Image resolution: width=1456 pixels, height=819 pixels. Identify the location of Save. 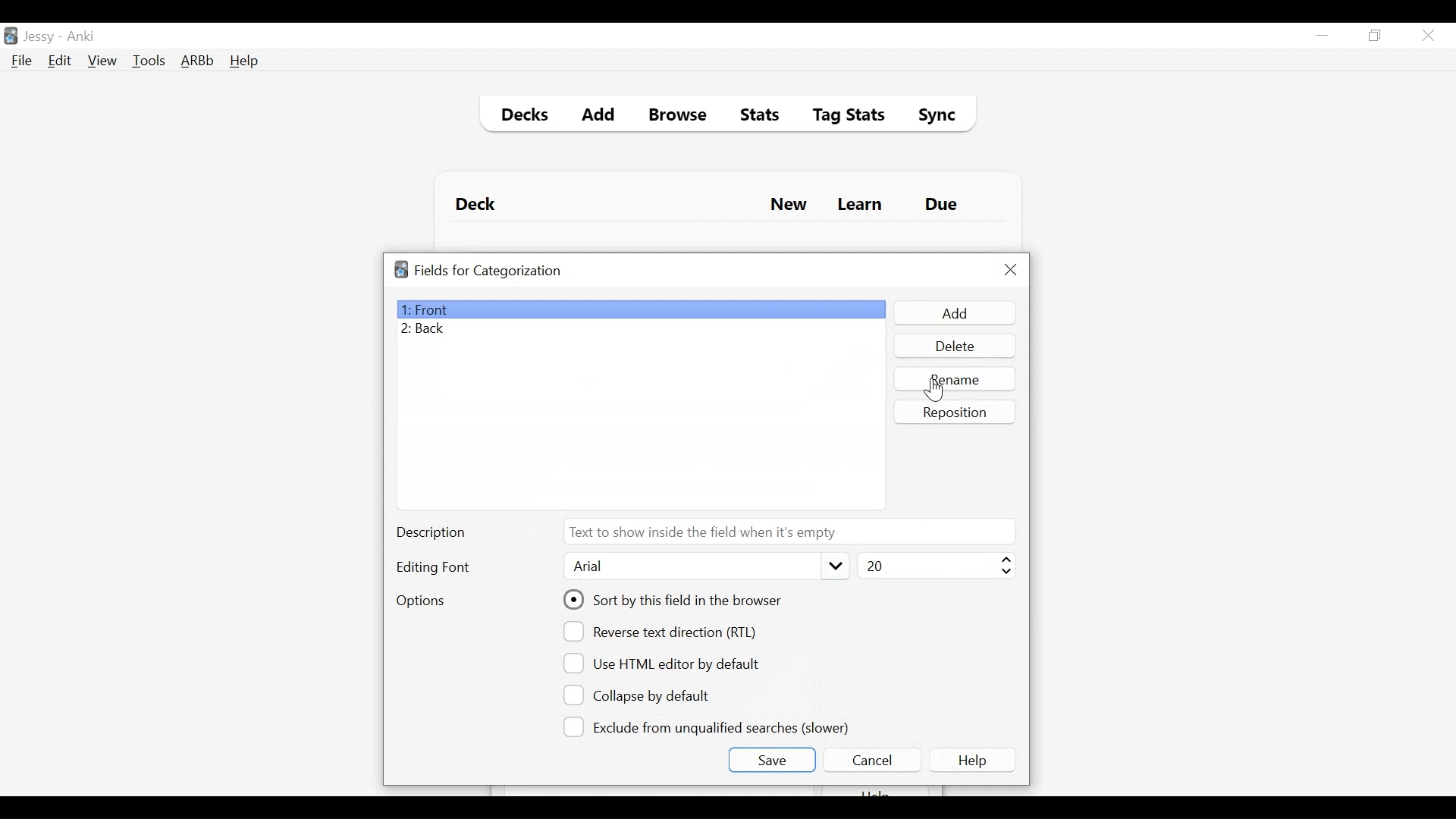
(771, 760).